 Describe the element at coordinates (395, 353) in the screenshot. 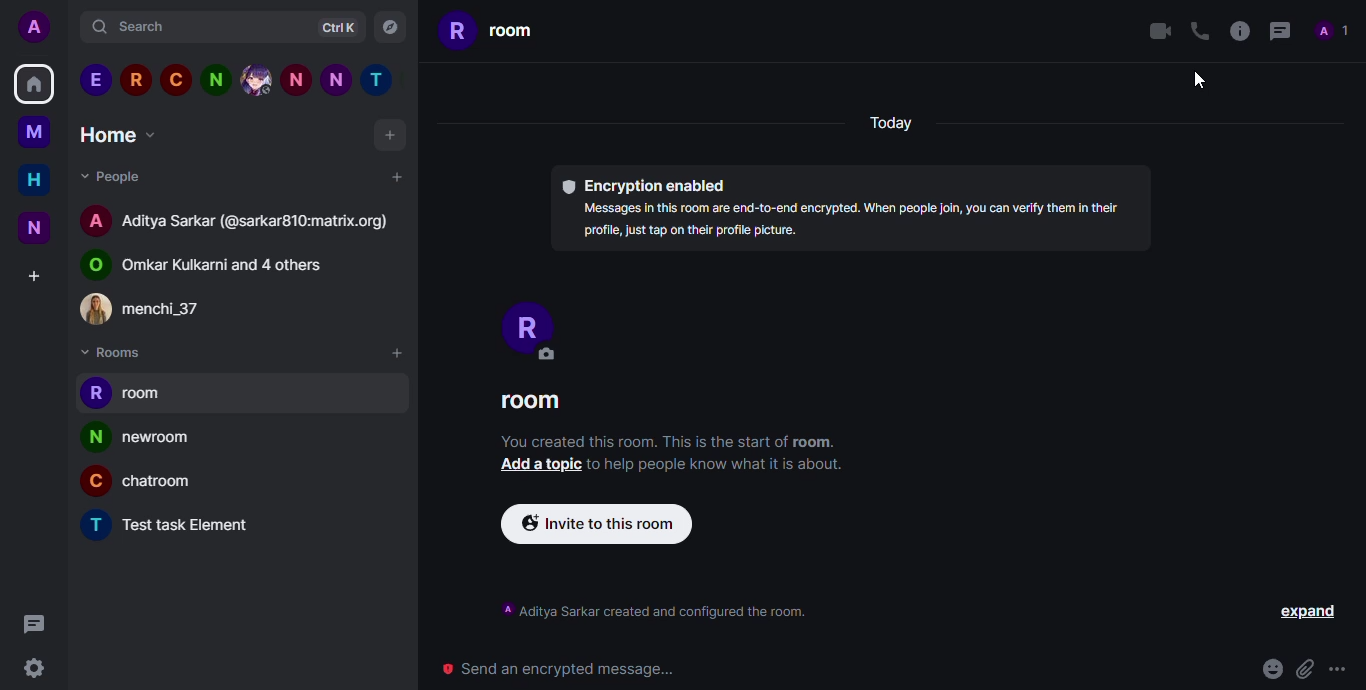

I see `add` at that location.